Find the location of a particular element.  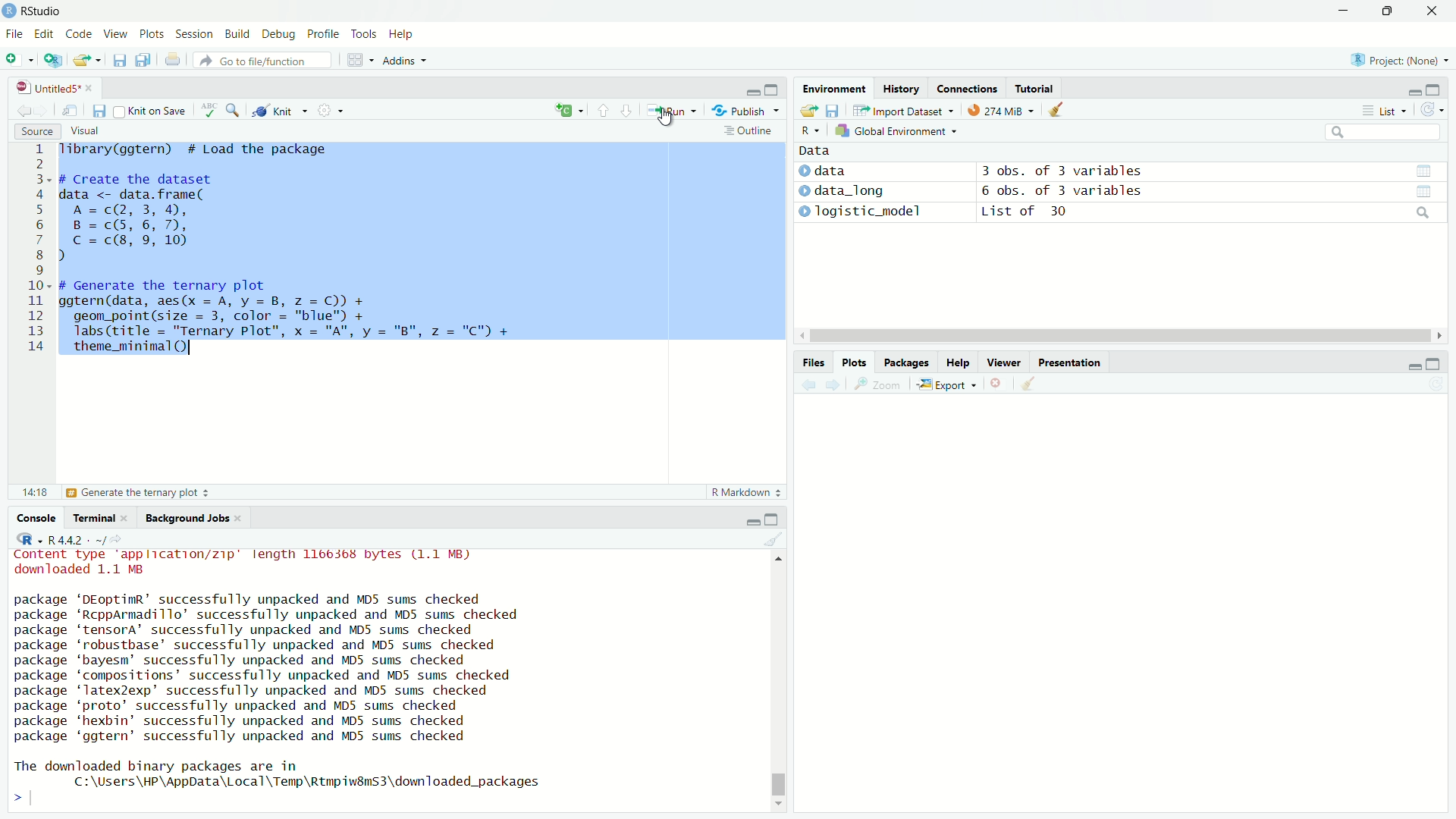

minimise is located at coordinates (749, 519).